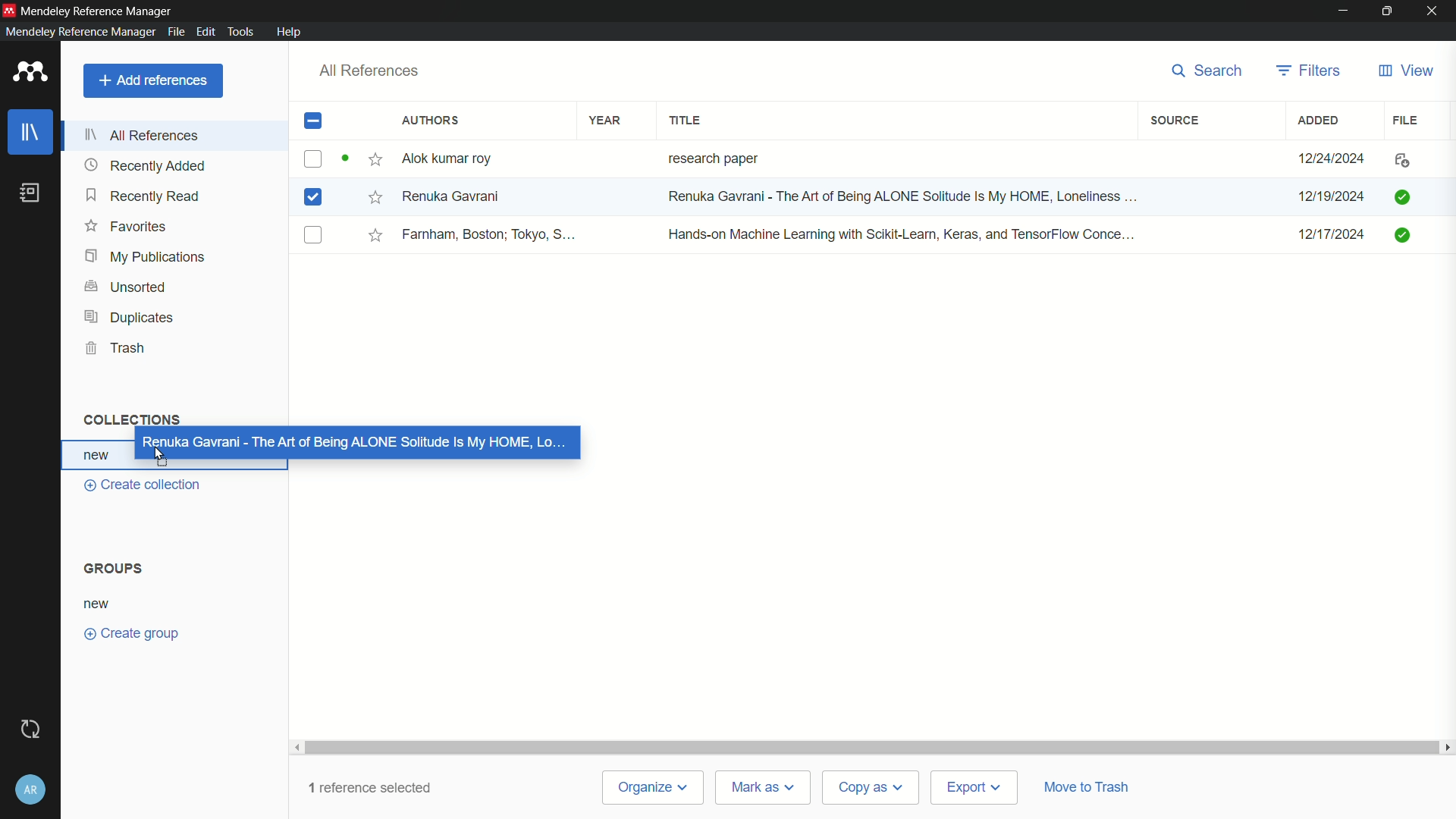 This screenshot has height=819, width=1456. I want to click on sync, so click(31, 729).